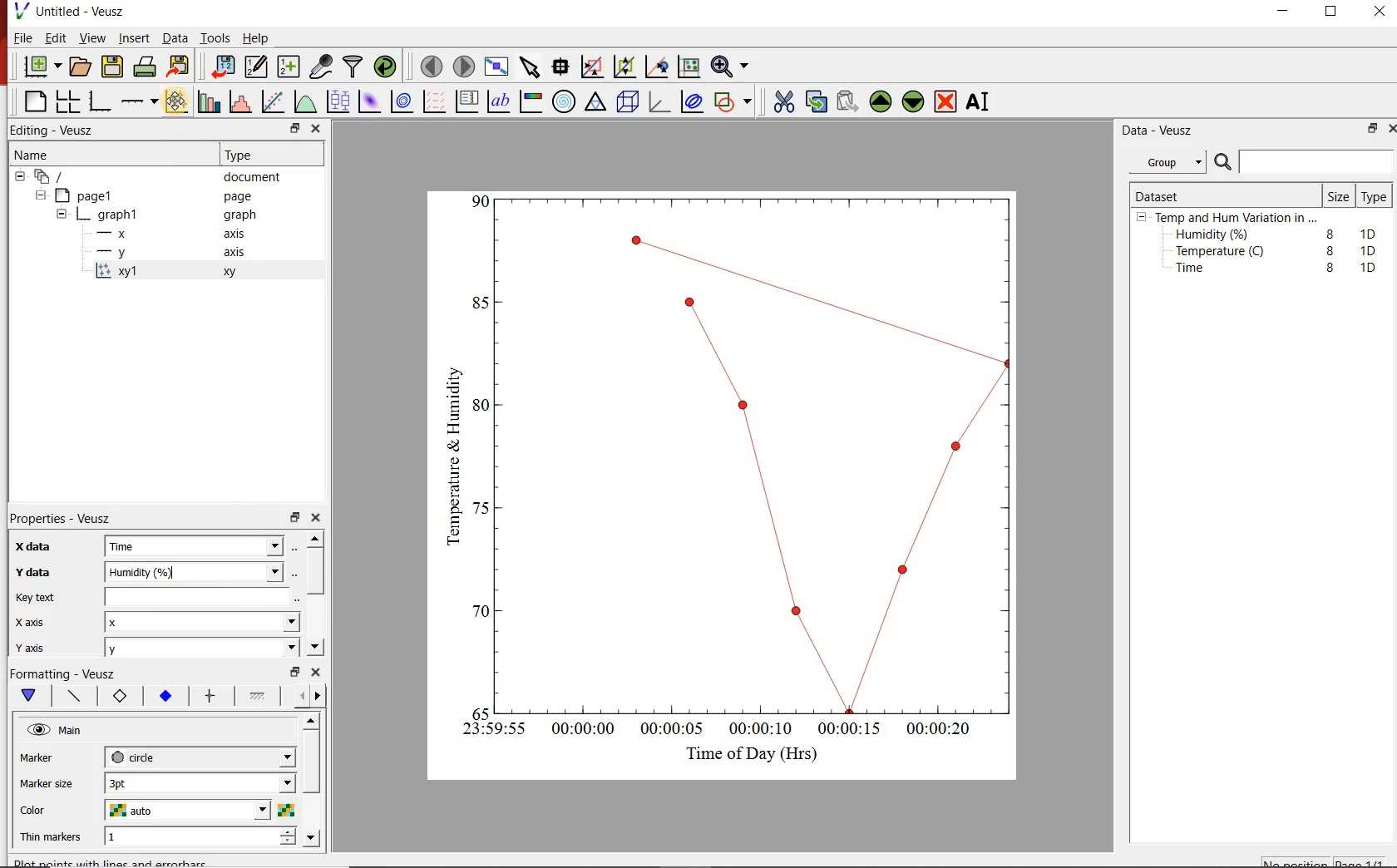 The image size is (1397, 868). I want to click on create new datasets using ranges, parametrically or as functions of existing datasets, so click(289, 67).